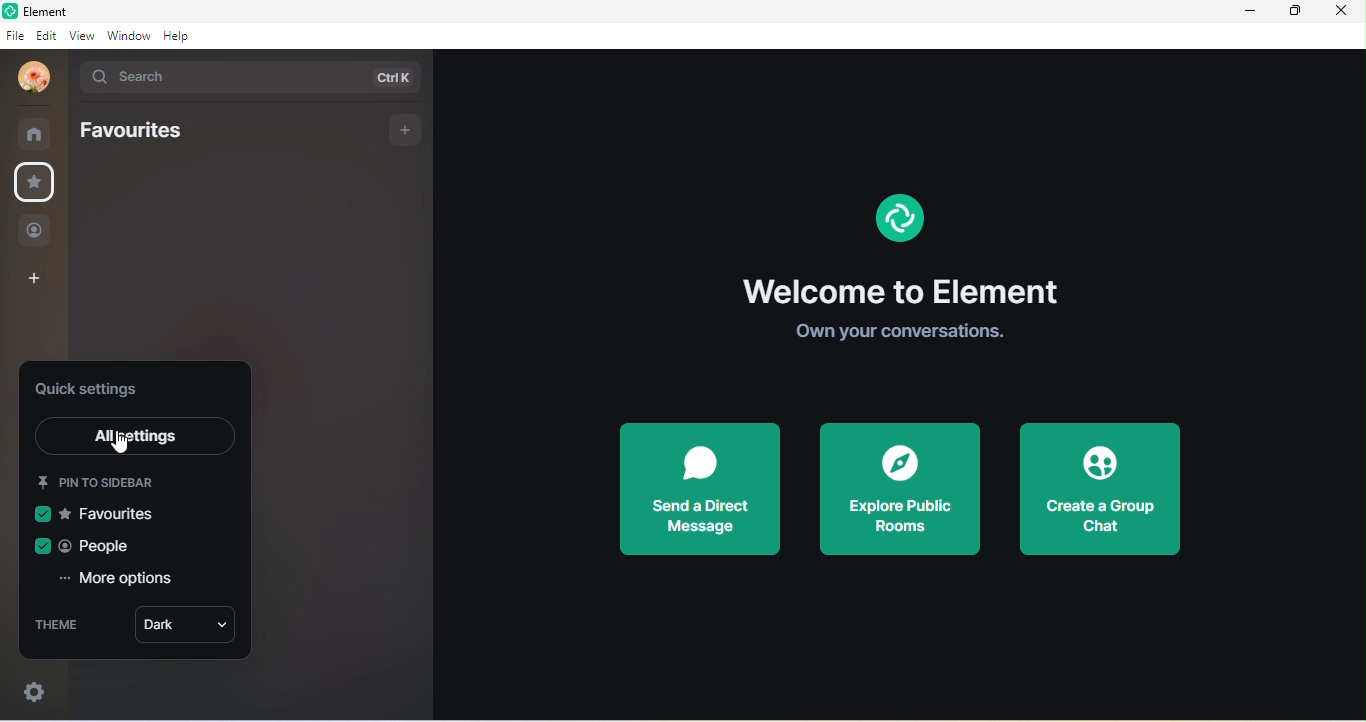 The width and height of the screenshot is (1366, 722). I want to click on cursor movement, so click(126, 441).